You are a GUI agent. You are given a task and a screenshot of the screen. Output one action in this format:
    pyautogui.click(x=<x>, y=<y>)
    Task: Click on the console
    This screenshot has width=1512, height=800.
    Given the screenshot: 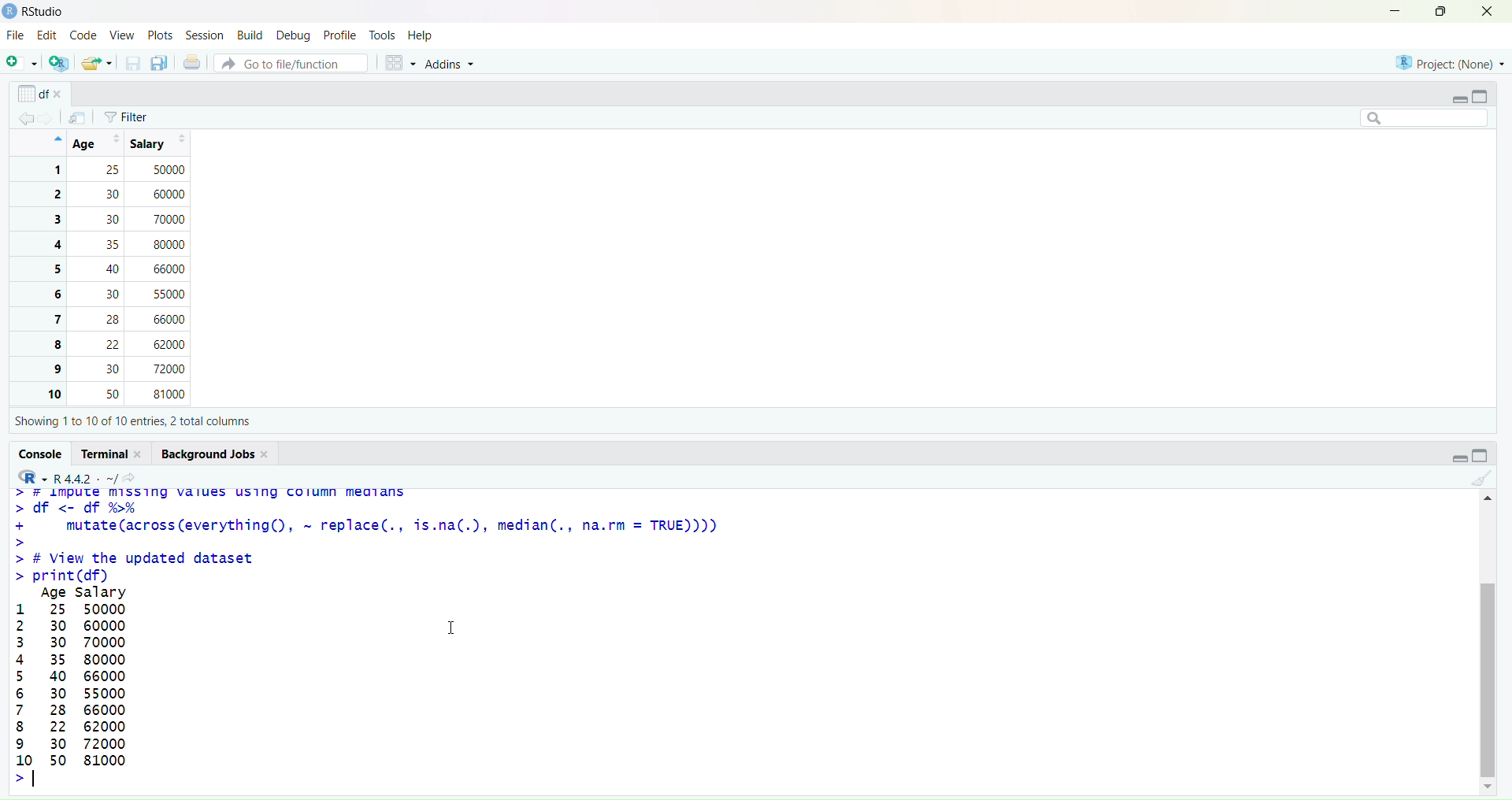 What is the action you would take?
    pyautogui.click(x=41, y=453)
    